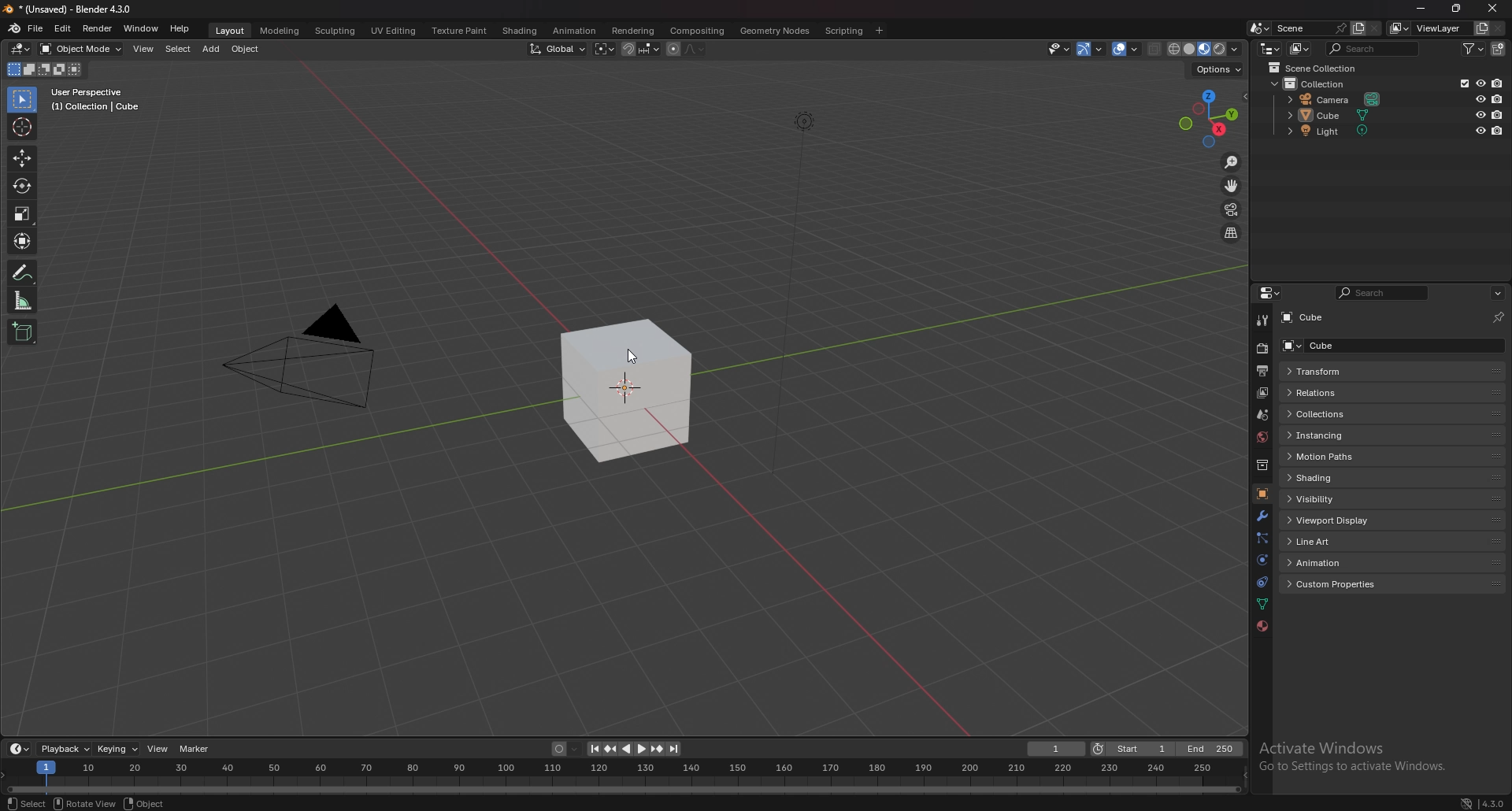  Describe the element at coordinates (629, 391) in the screenshot. I see `cube` at that location.